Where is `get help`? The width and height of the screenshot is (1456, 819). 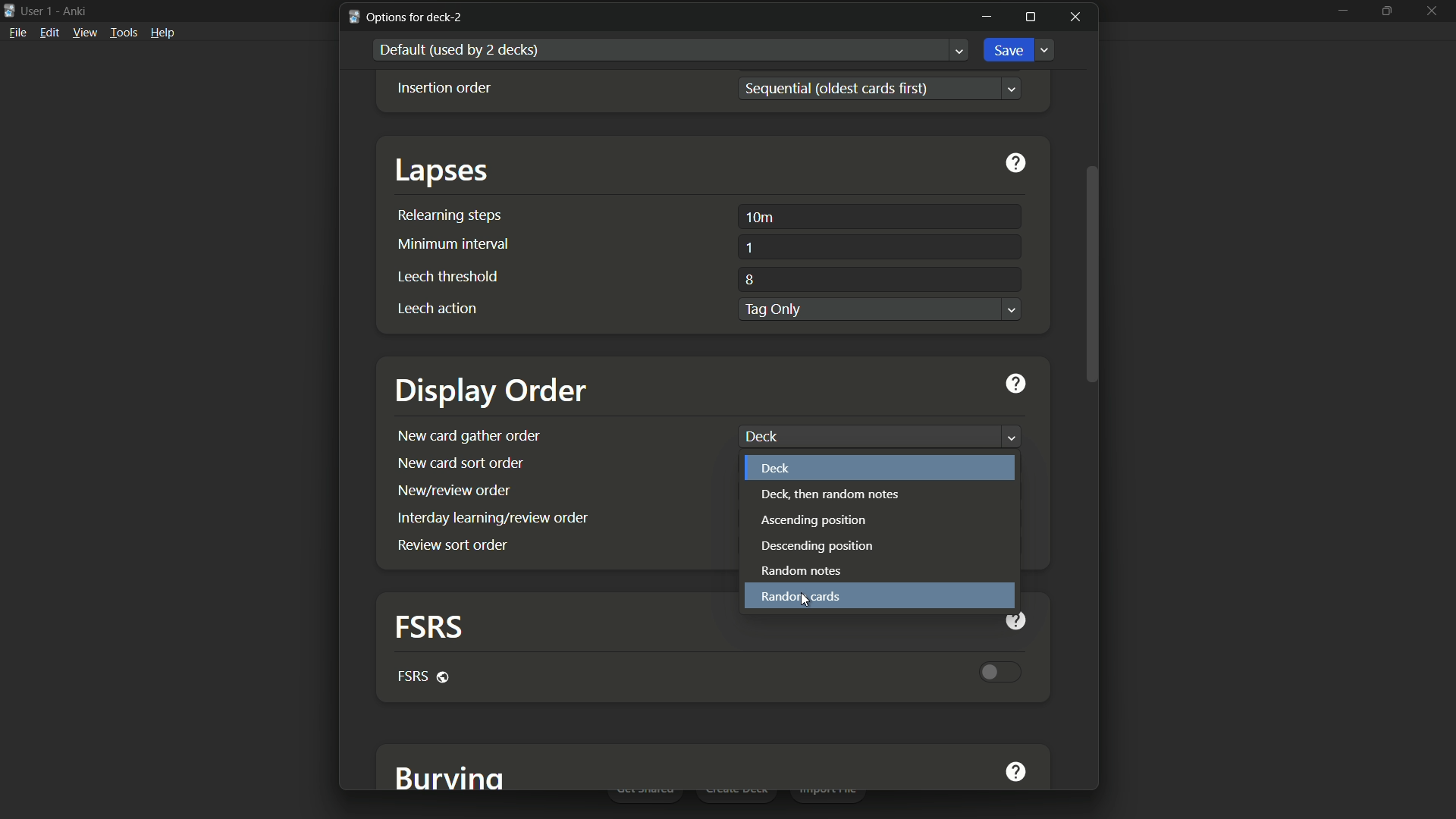
get help is located at coordinates (1018, 382).